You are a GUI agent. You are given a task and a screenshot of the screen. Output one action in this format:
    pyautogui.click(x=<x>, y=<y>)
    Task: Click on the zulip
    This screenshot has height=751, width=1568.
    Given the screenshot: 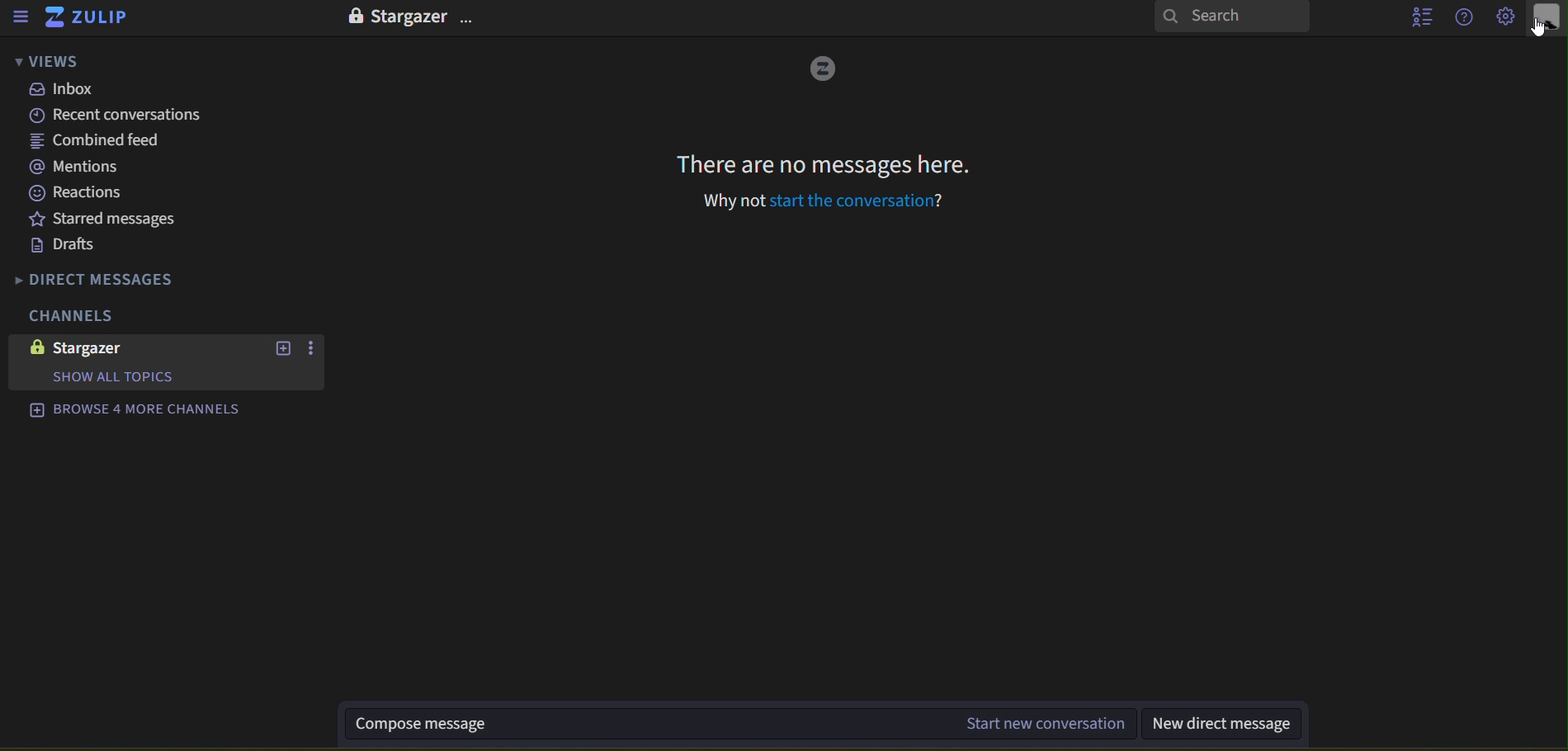 What is the action you would take?
    pyautogui.click(x=93, y=21)
    